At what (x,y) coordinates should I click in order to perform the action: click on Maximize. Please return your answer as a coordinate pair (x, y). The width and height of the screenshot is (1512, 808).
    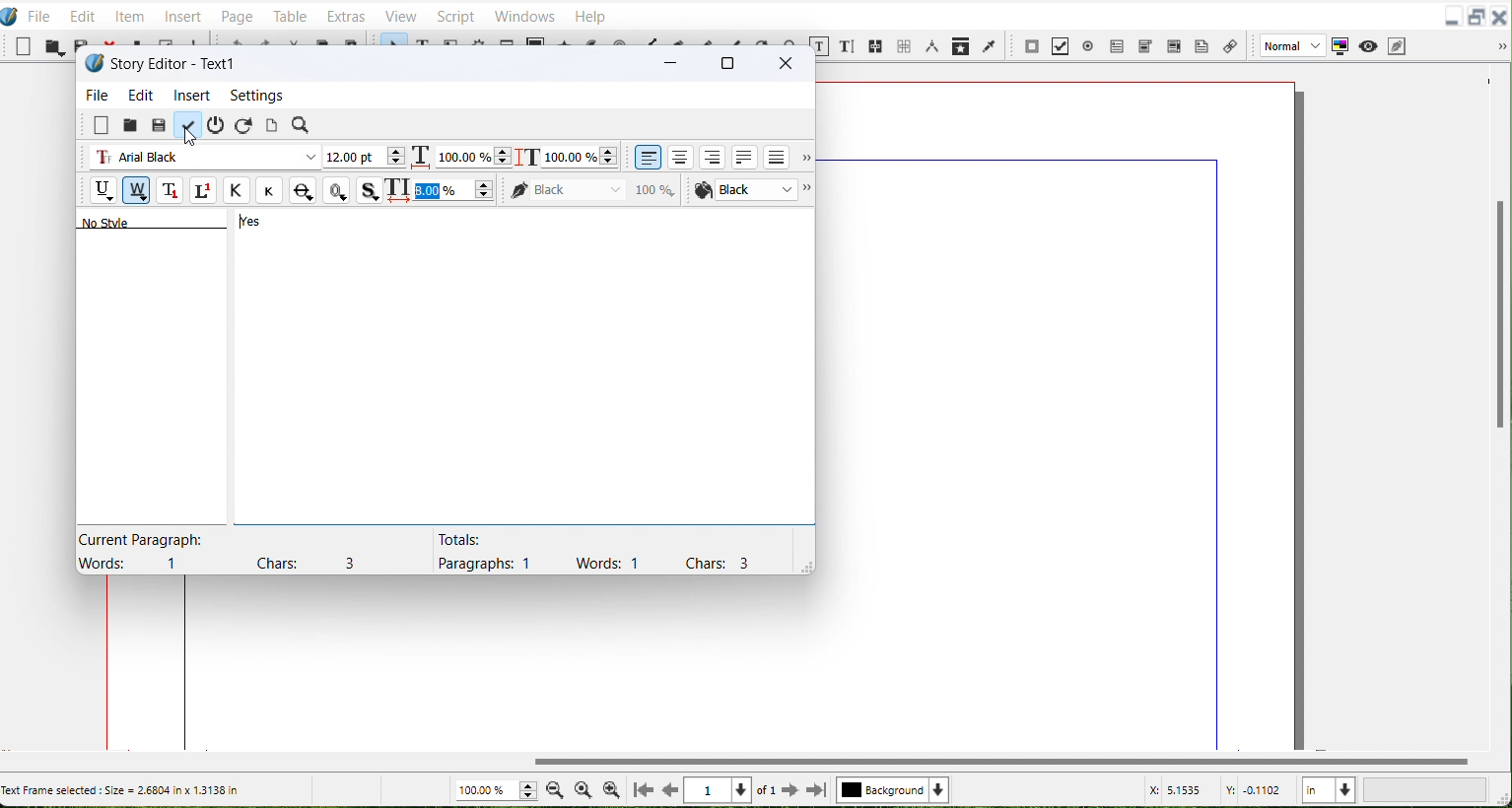
    Looking at the image, I should click on (1478, 16).